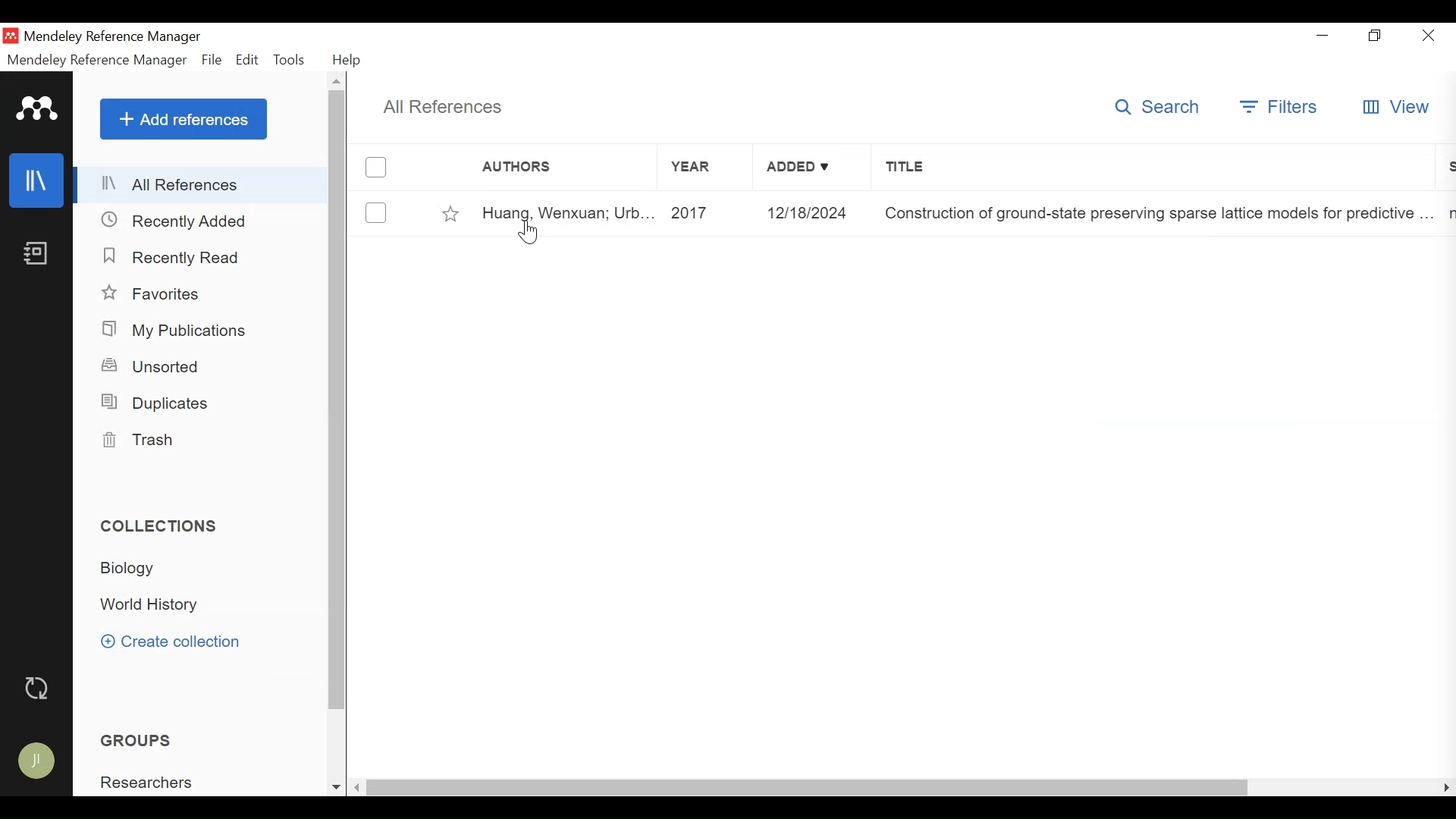  I want to click on Added, so click(811, 166).